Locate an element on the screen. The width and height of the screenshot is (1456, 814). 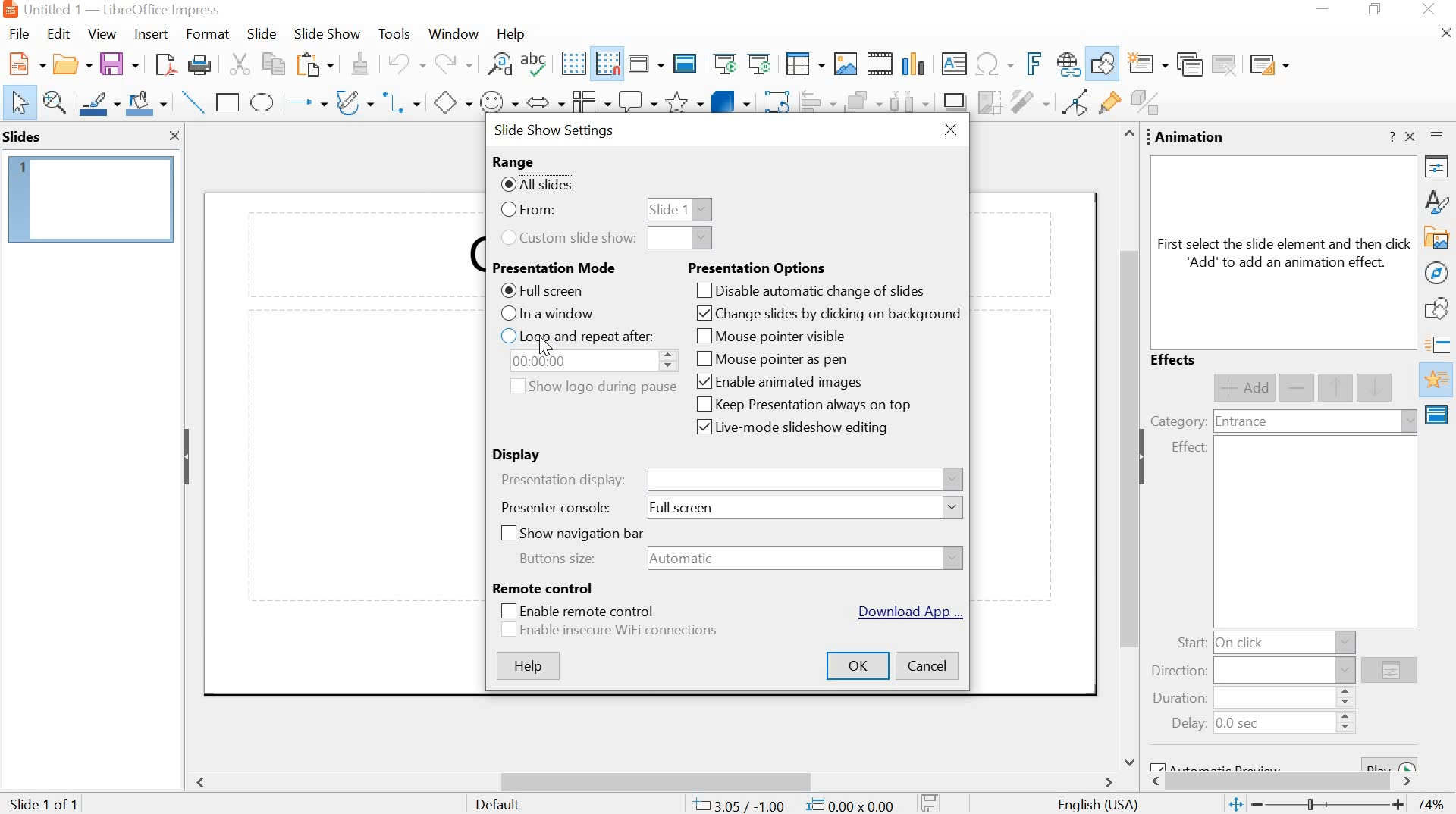
enable animated images is located at coordinates (780, 384).